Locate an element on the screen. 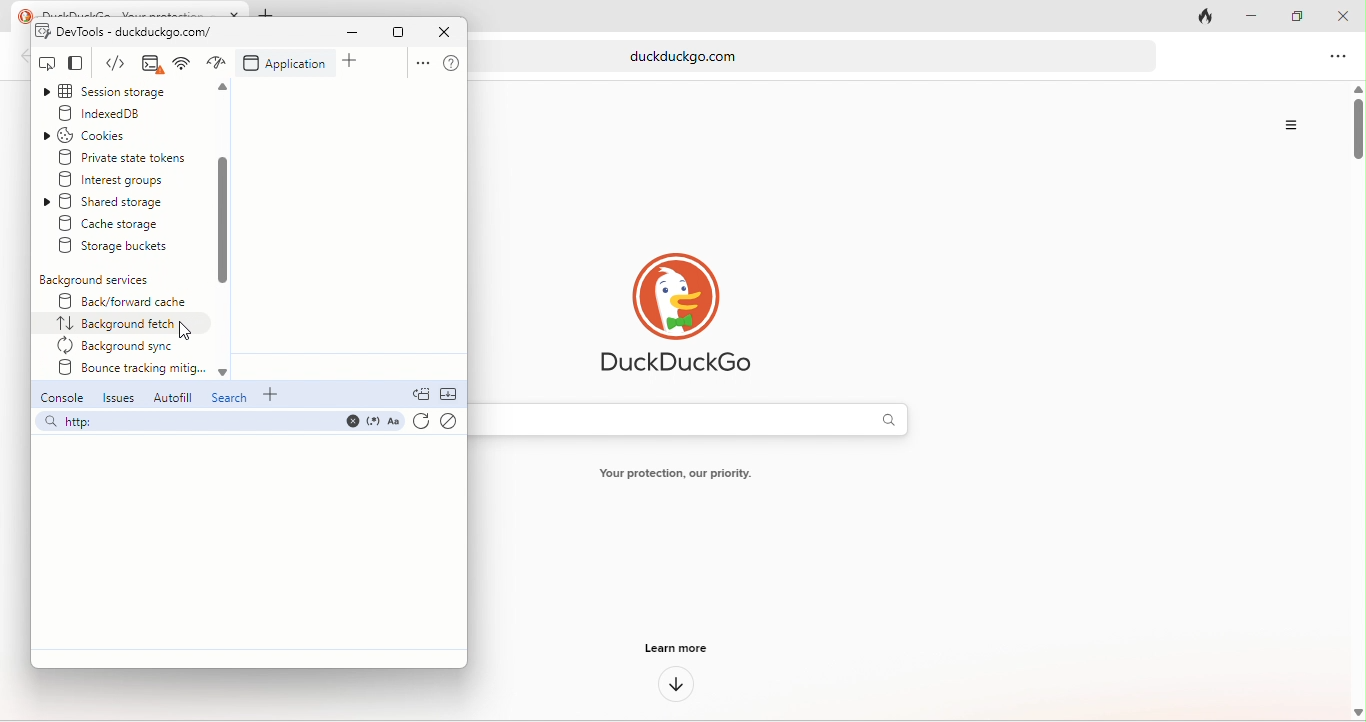 Image resolution: width=1366 pixels, height=722 pixels. minimize is located at coordinates (345, 34).